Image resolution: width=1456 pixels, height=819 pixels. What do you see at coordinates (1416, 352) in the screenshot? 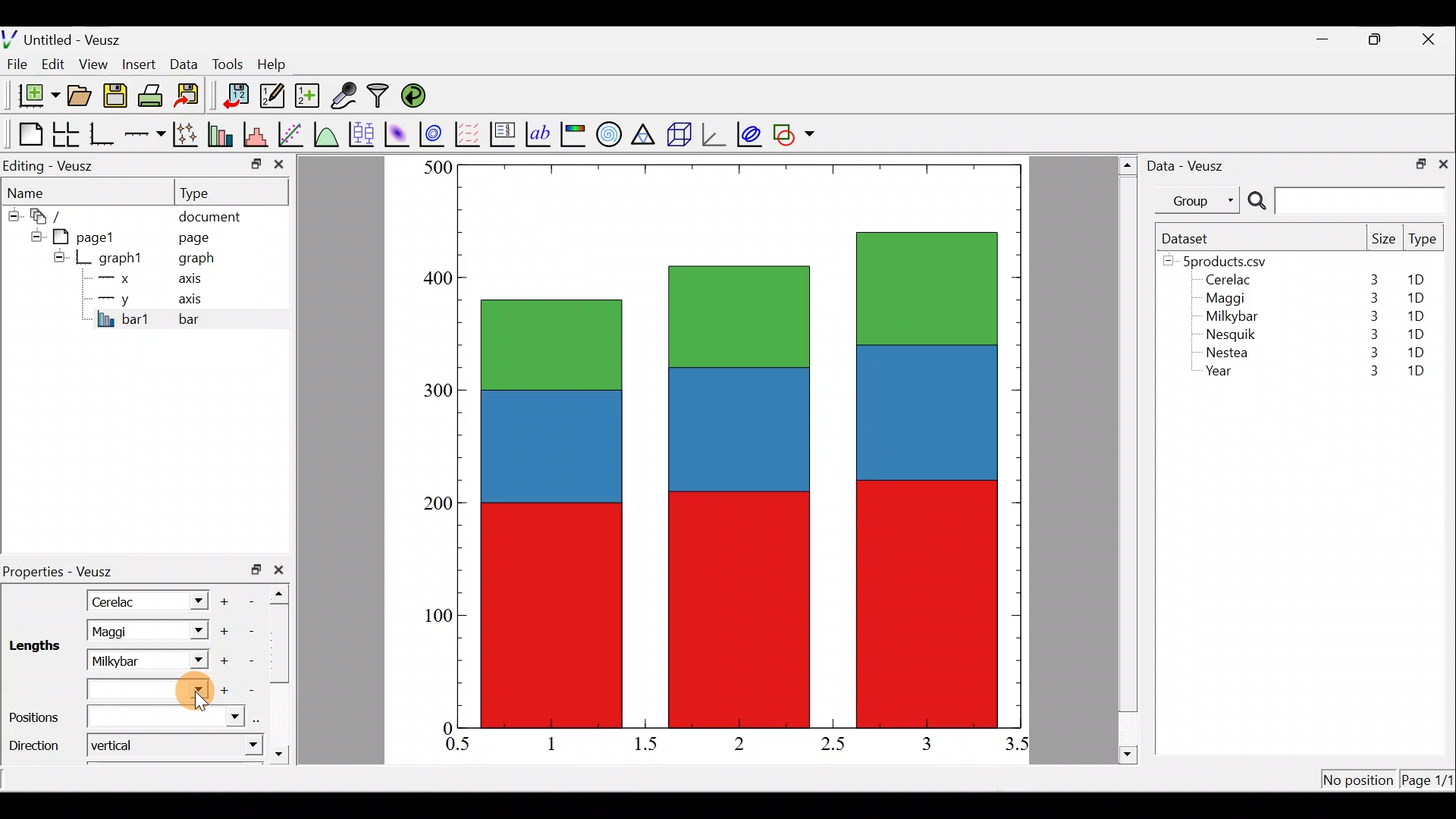
I see `1D` at bounding box center [1416, 352].